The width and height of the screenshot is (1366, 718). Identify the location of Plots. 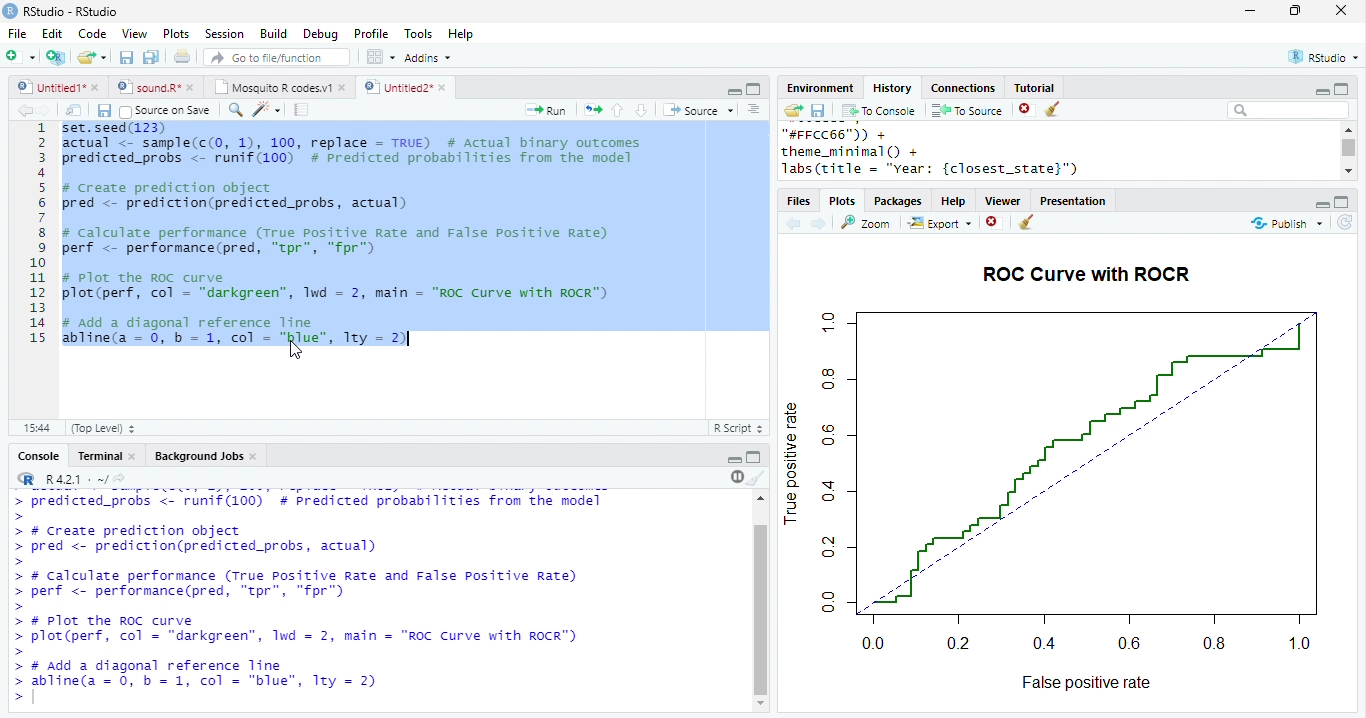
(844, 202).